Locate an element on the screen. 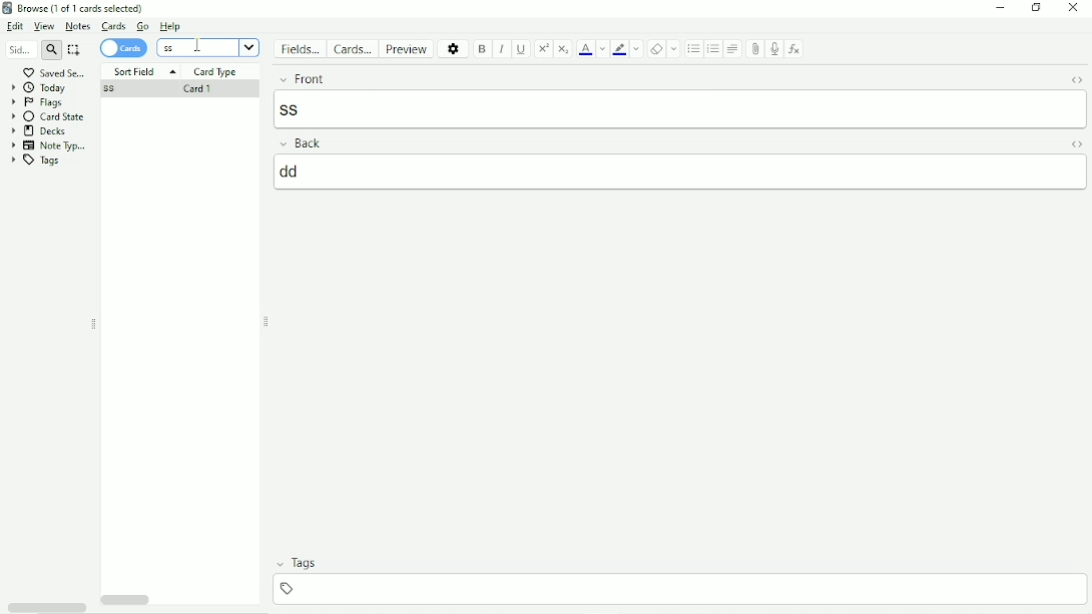  Edit is located at coordinates (16, 27).